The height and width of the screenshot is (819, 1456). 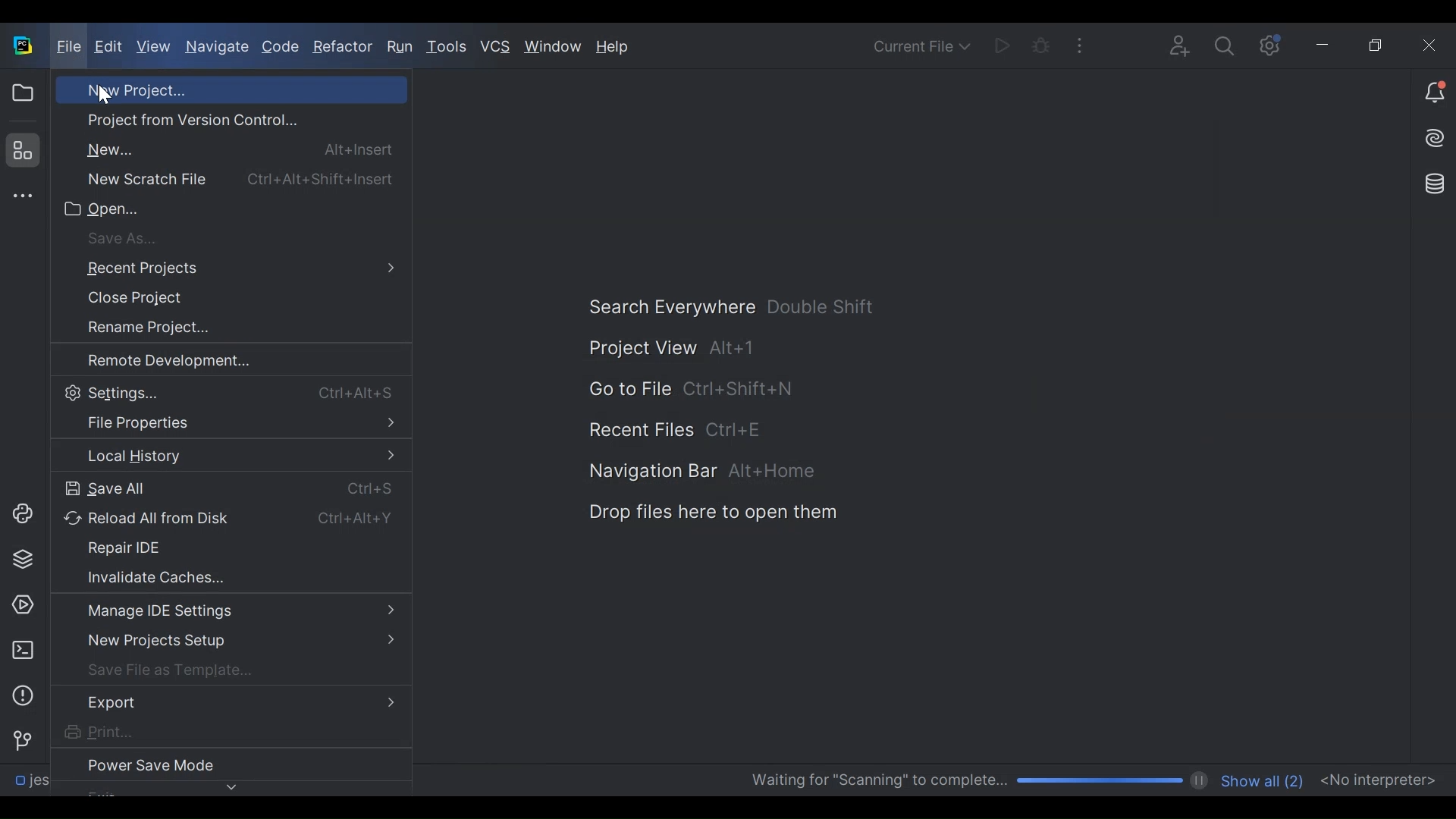 What do you see at coordinates (208, 732) in the screenshot?
I see `Print` at bounding box center [208, 732].